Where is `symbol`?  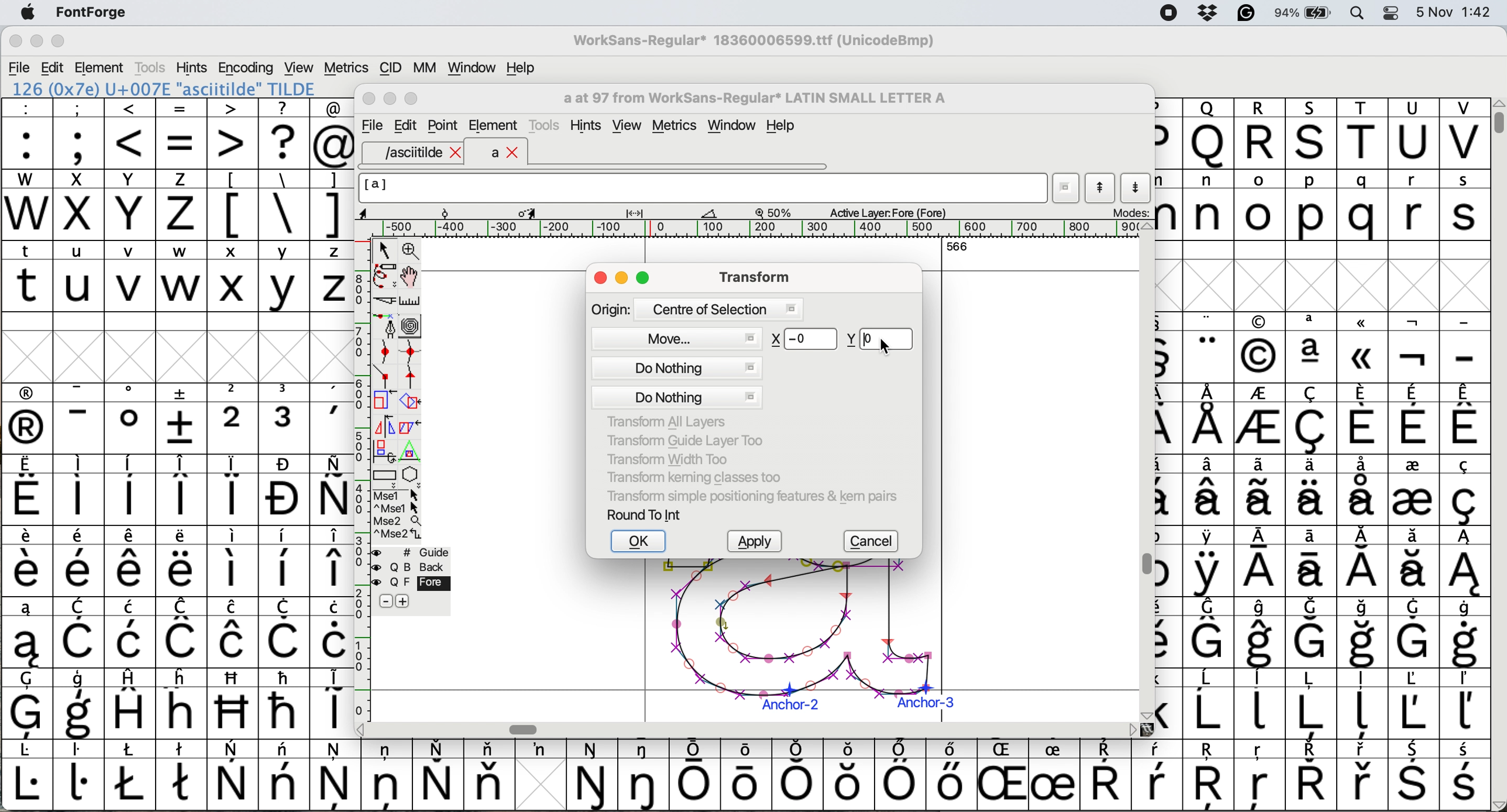 symbol is located at coordinates (28, 704).